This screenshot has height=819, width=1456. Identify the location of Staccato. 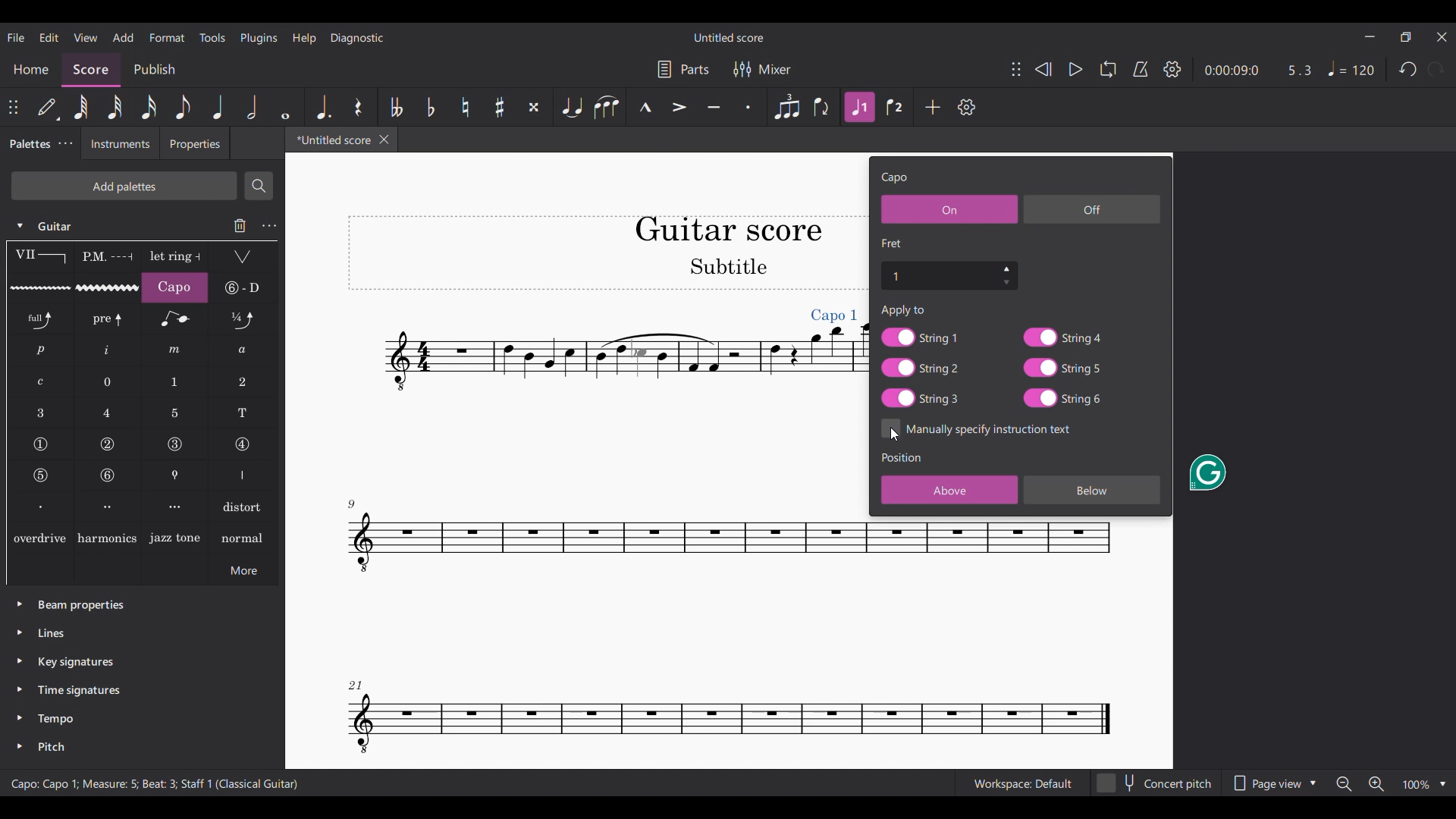
(748, 107).